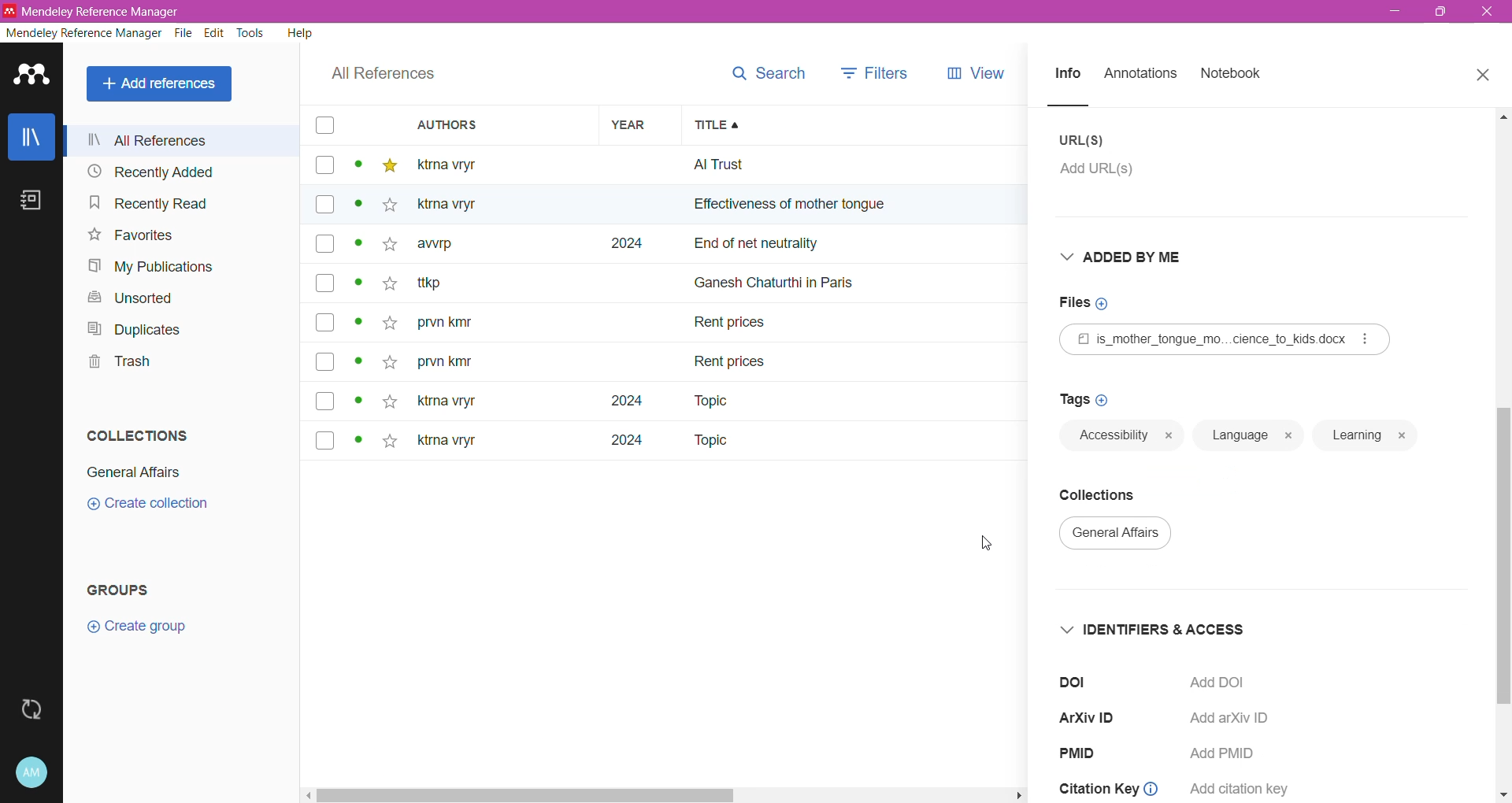 This screenshot has height=803, width=1512. What do you see at coordinates (389, 166) in the screenshot?
I see `star` at bounding box center [389, 166].